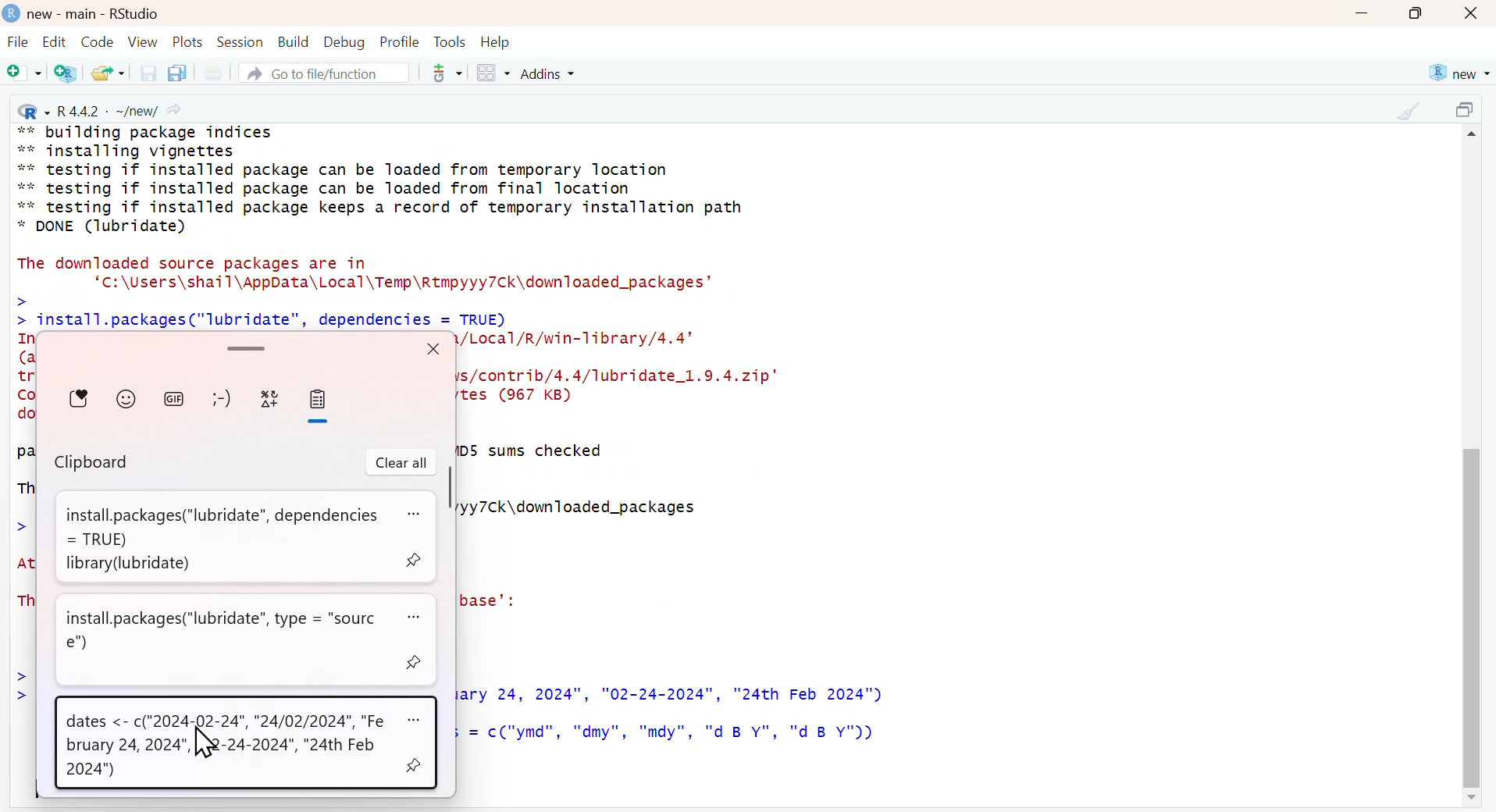  Describe the element at coordinates (317, 400) in the screenshot. I see `clipboard` at that location.